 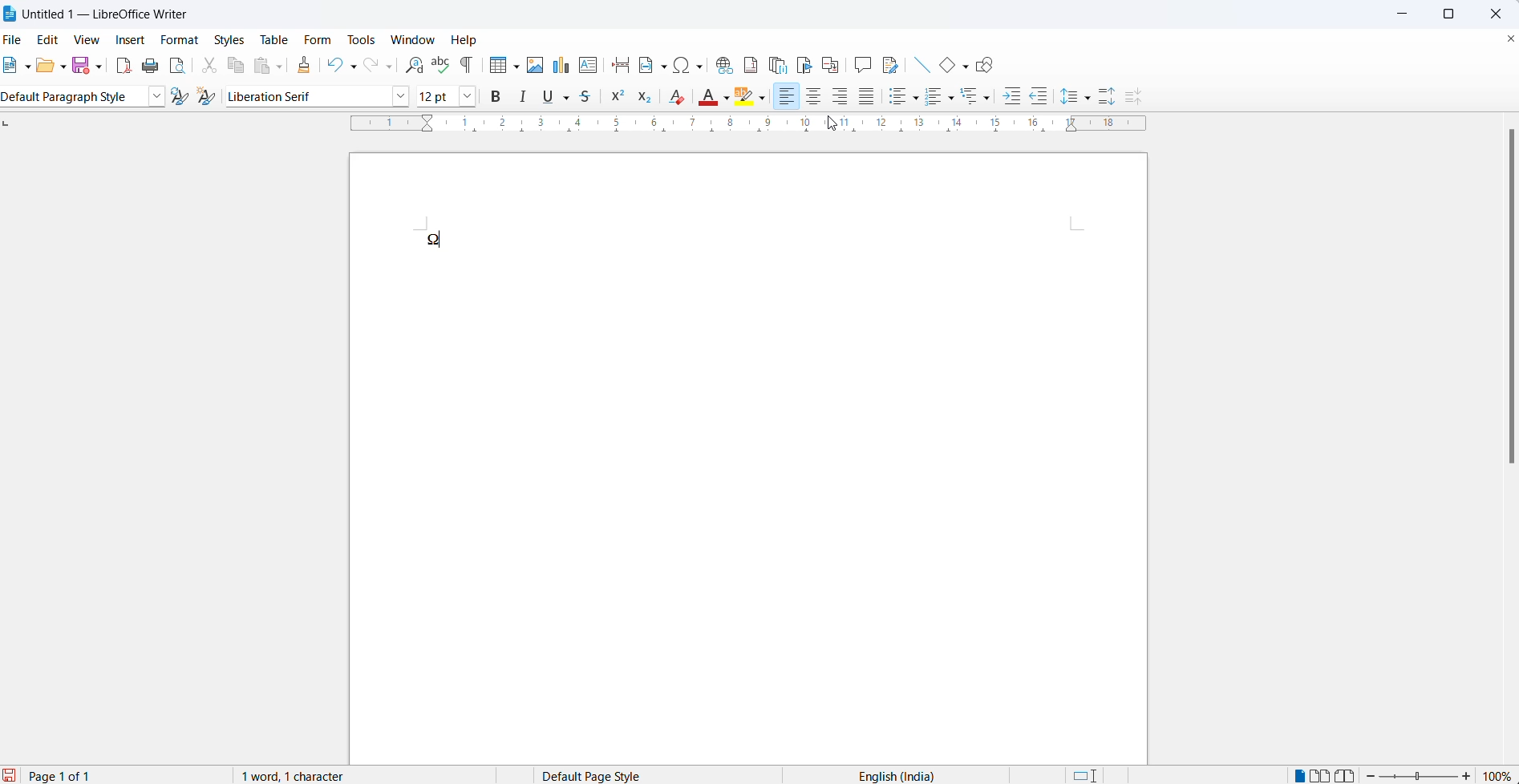 I want to click on help, so click(x=471, y=42).